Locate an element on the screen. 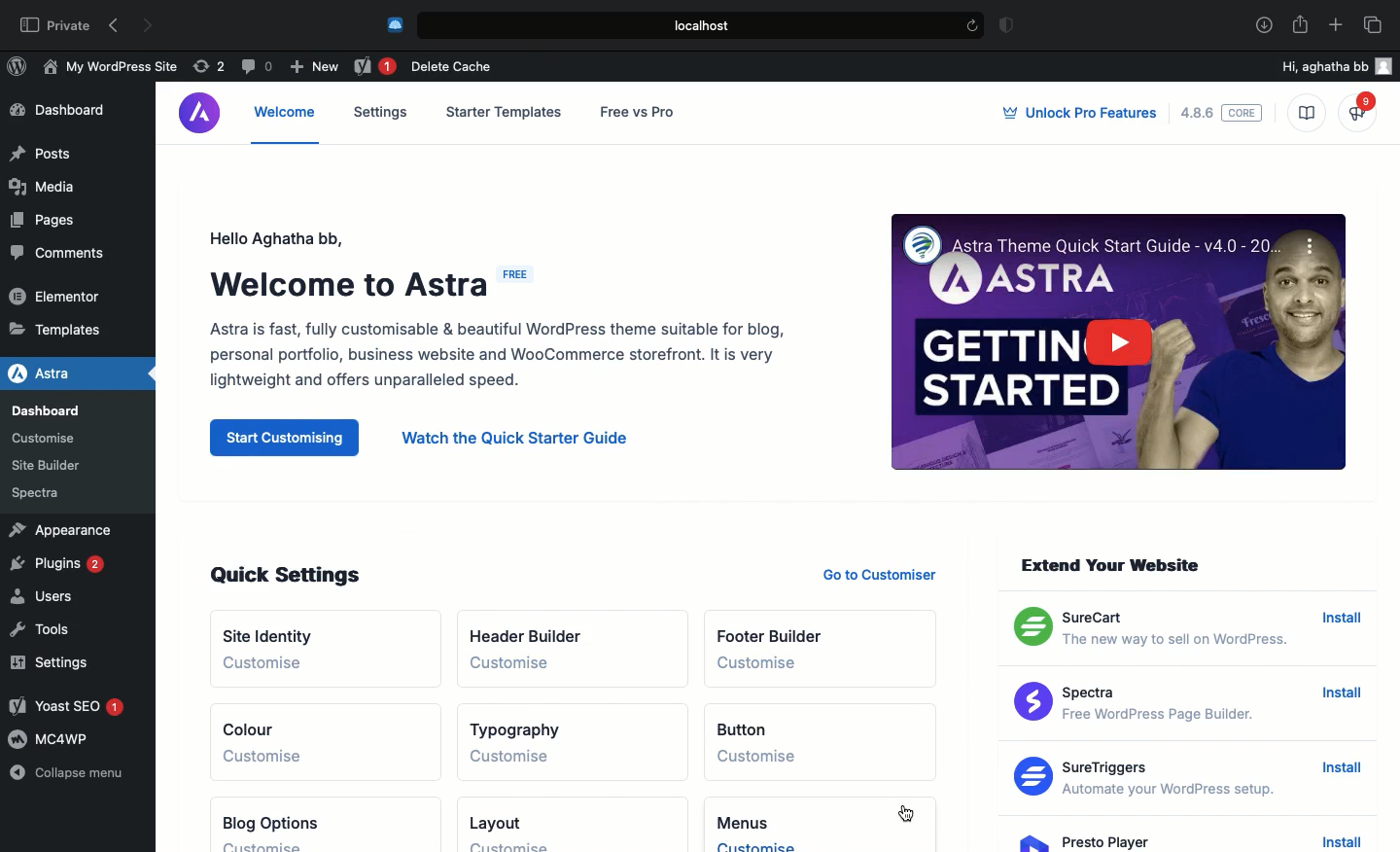  Watch the quick starter guide is located at coordinates (515, 438).